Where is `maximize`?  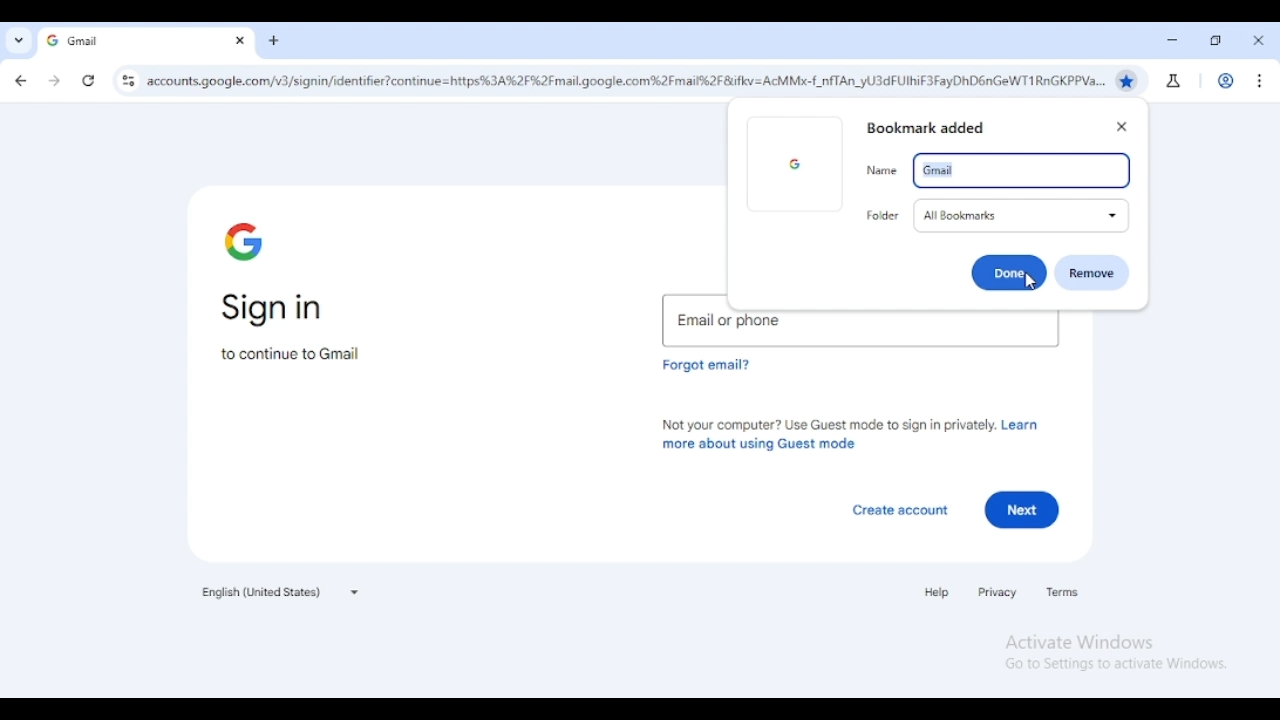
maximize is located at coordinates (1216, 41).